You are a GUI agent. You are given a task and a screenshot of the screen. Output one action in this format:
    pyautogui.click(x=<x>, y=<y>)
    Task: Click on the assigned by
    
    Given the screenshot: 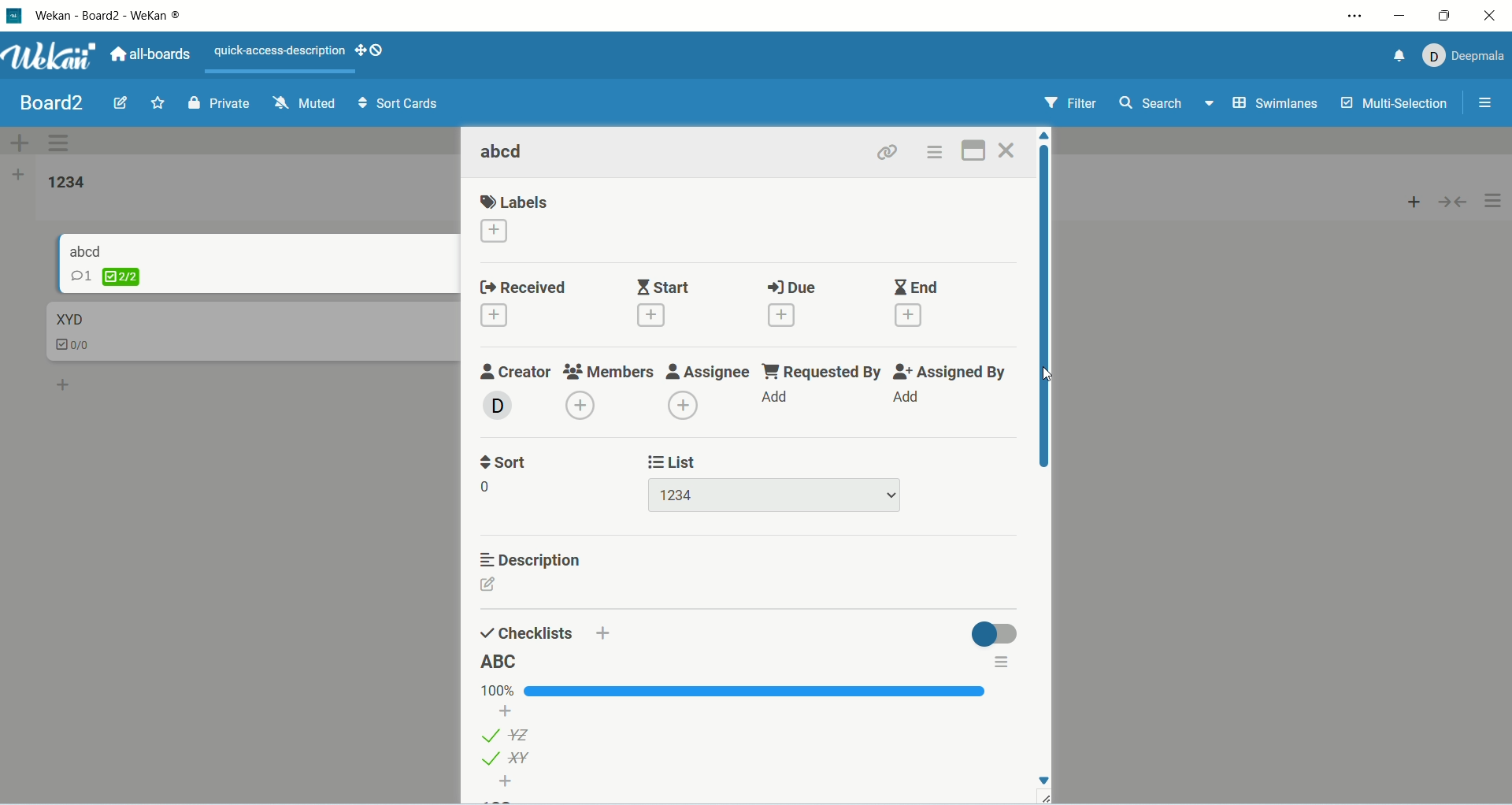 What is the action you would take?
    pyautogui.click(x=951, y=372)
    